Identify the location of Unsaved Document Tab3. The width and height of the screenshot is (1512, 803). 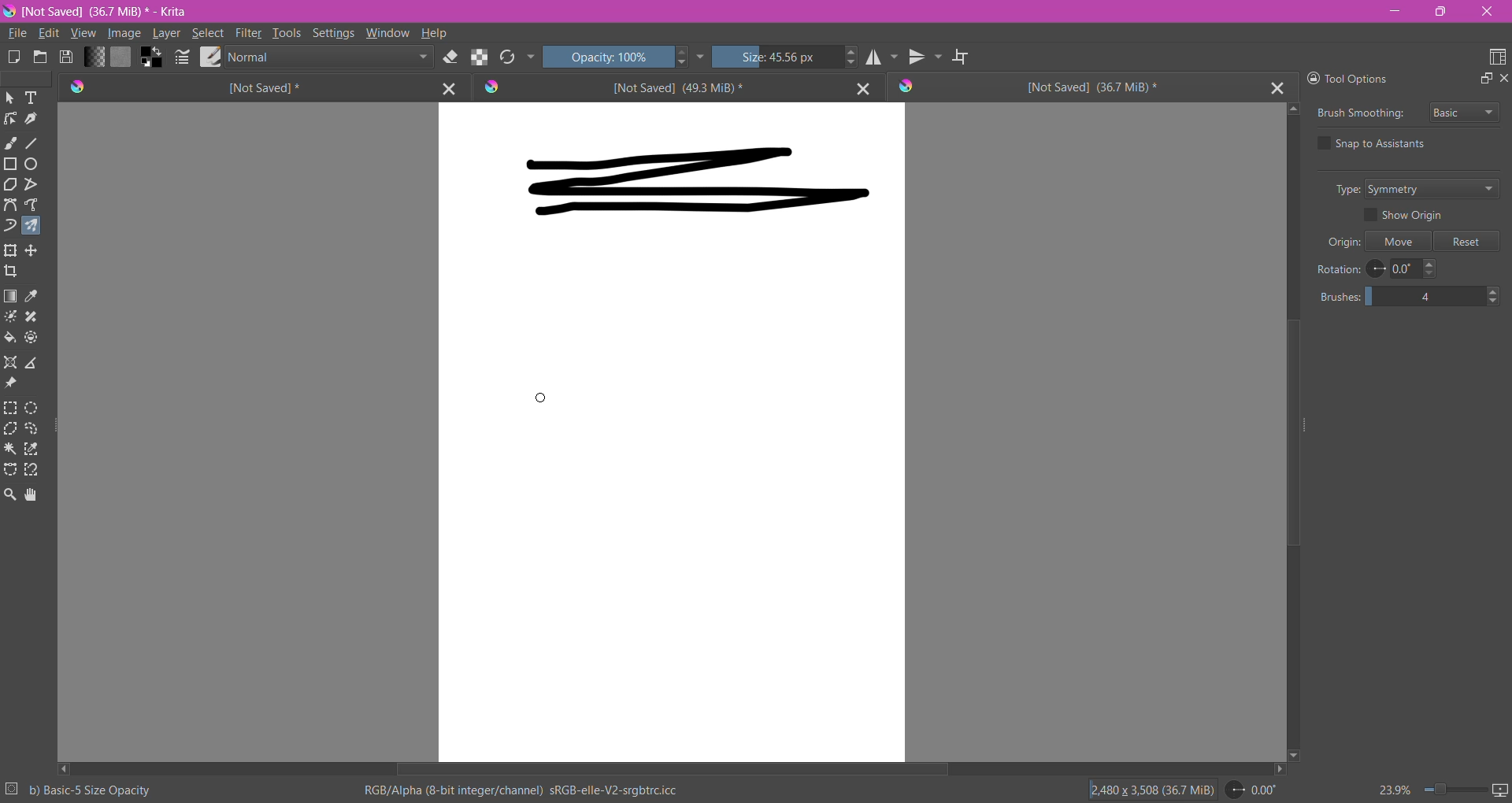
(1077, 87).